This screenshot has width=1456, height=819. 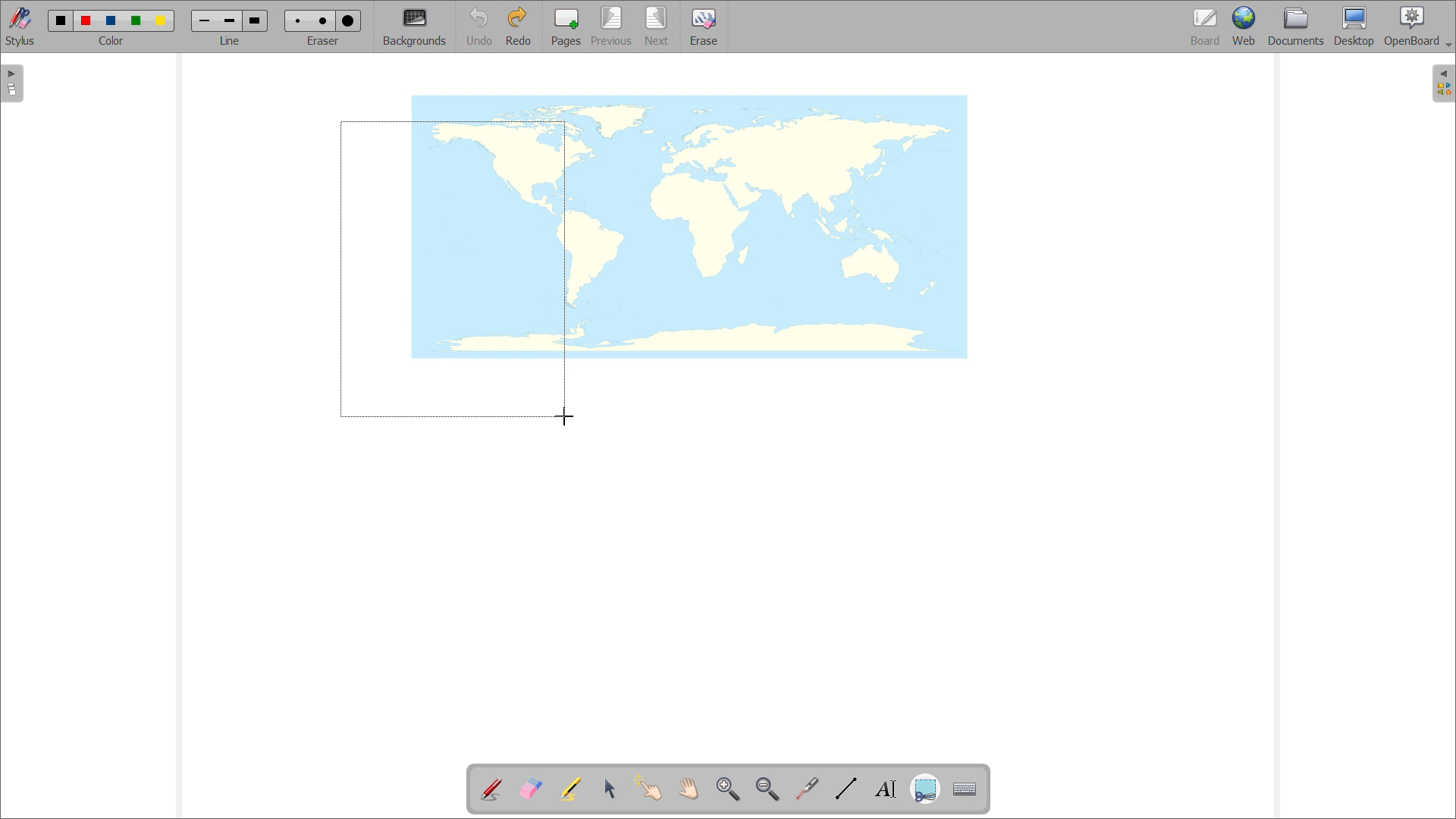 I want to click on open pages view, so click(x=12, y=83).